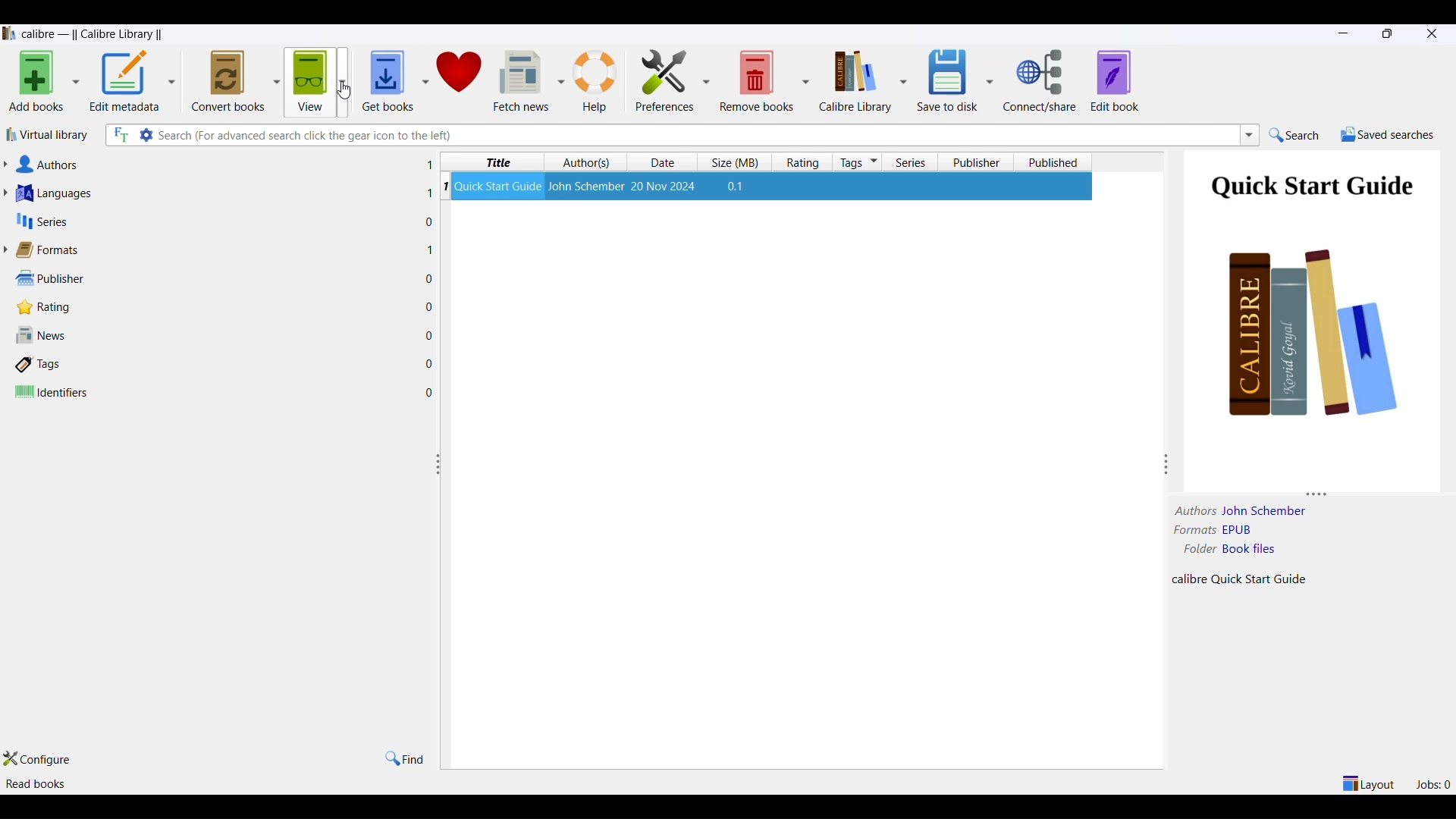 The height and width of the screenshot is (819, 1456). I want to click on saved searches, so click(1389, 135).